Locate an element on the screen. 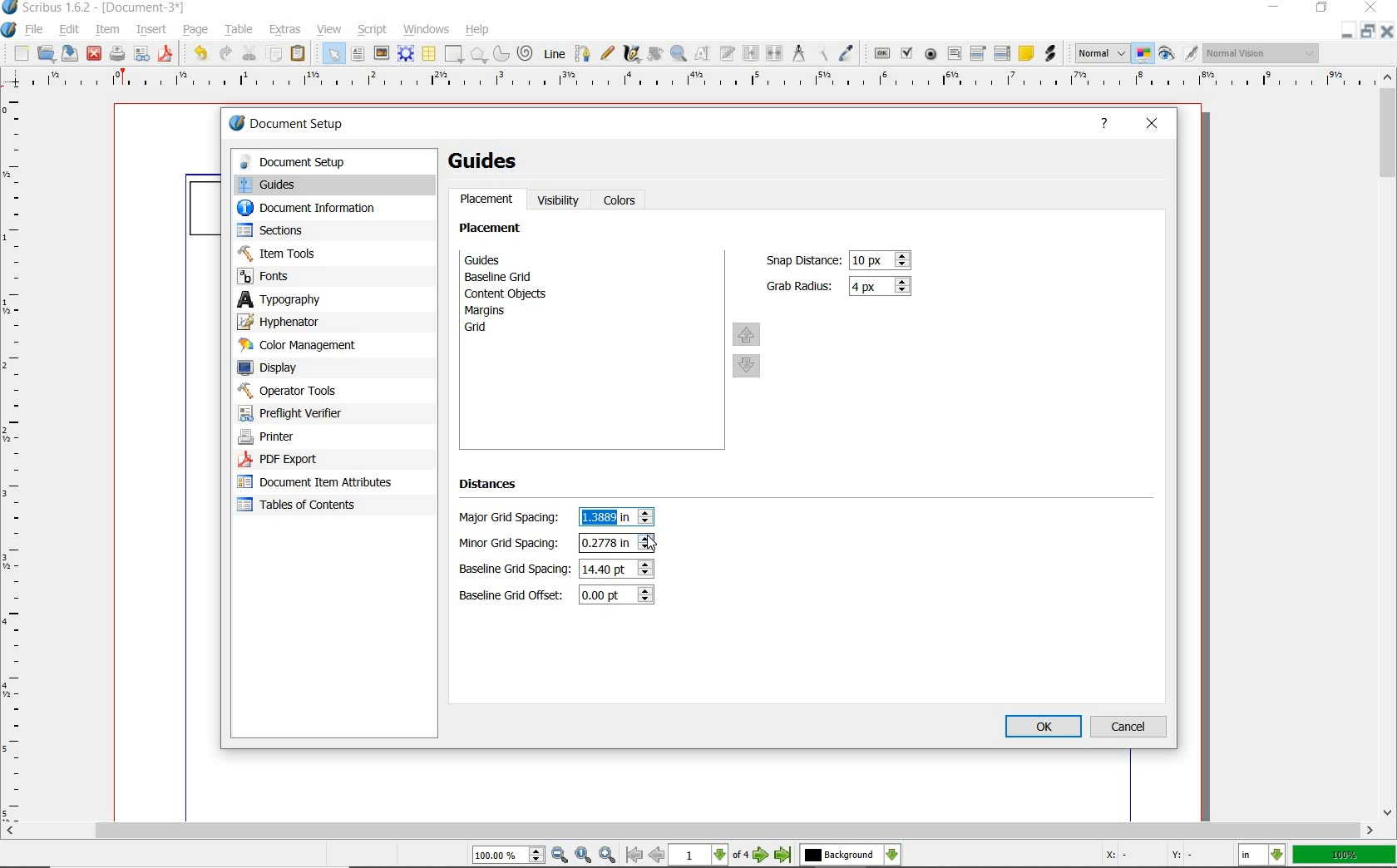 This screenshot has height=868, width=1397. 100% is located at coordinates (1345, 855).